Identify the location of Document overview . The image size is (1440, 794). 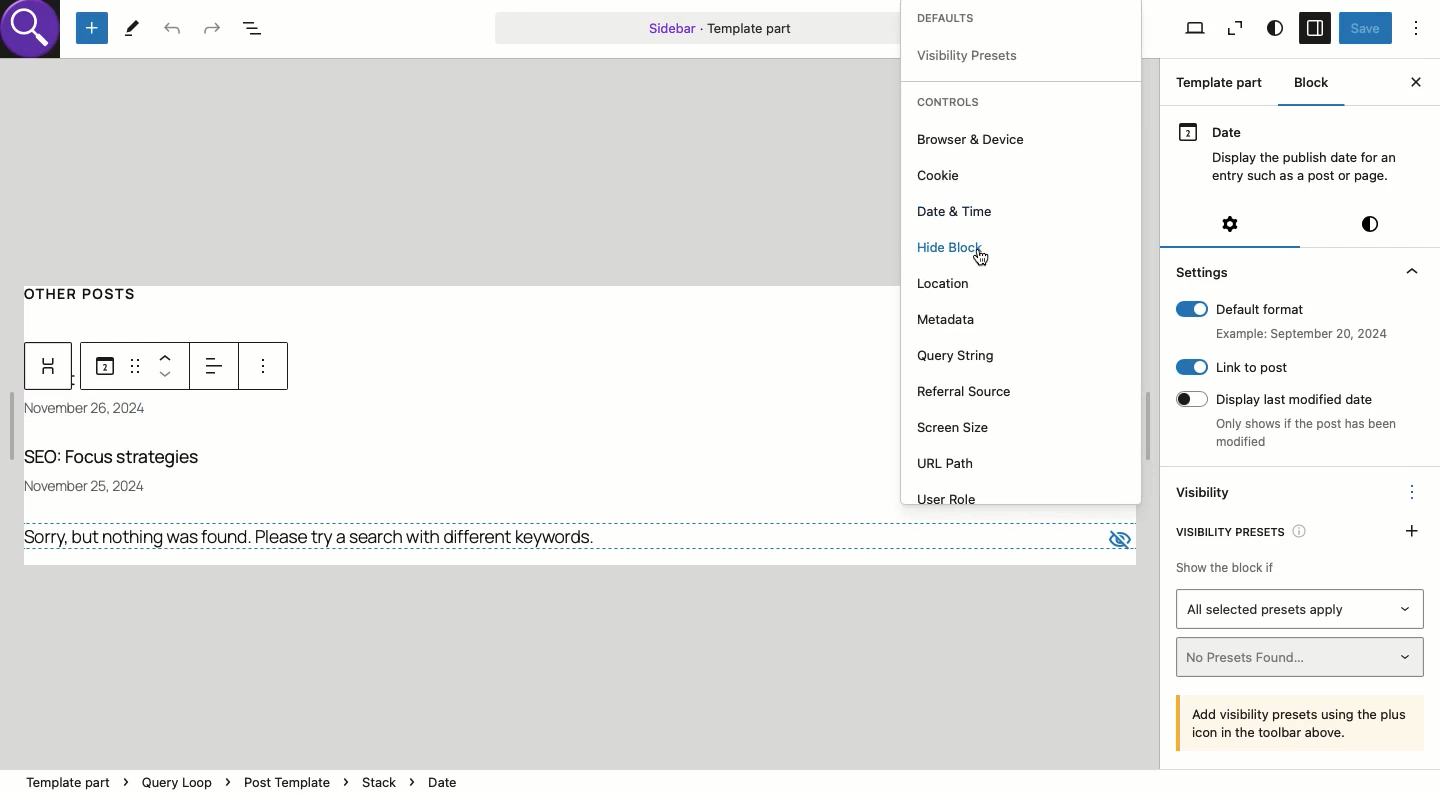
(259, 30).